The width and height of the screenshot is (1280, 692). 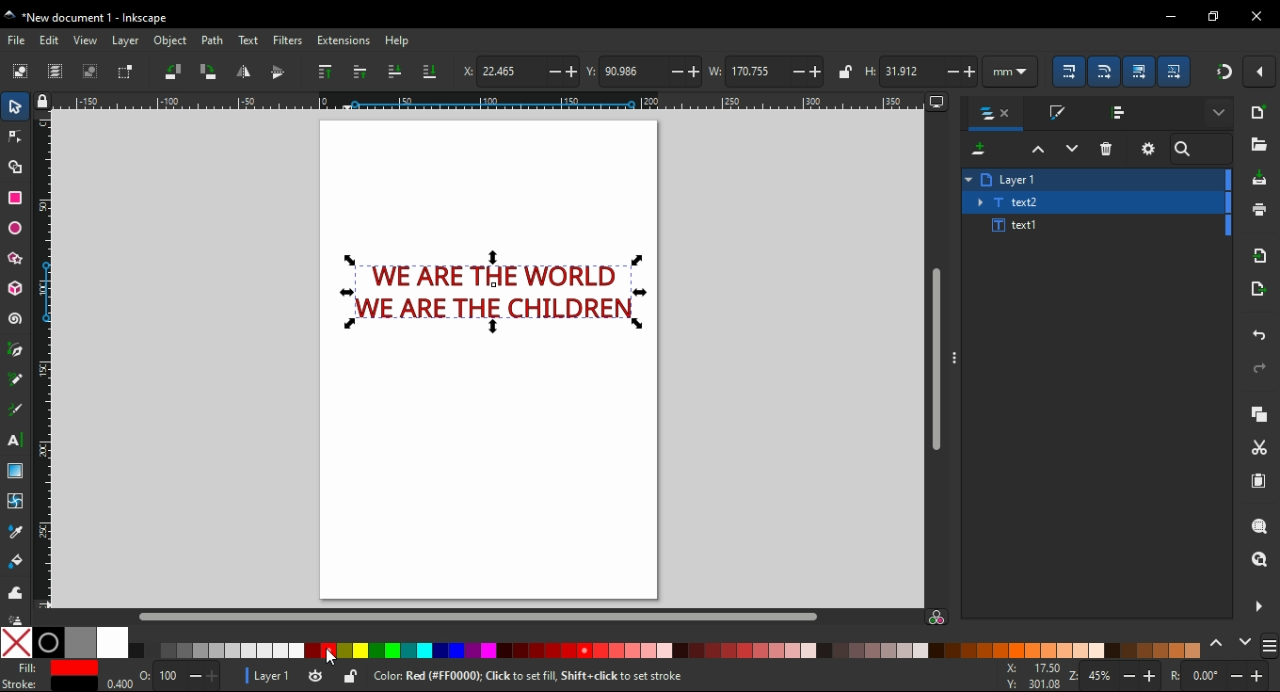 I want to click on calligraphy tool, so click(x=15, y=411).